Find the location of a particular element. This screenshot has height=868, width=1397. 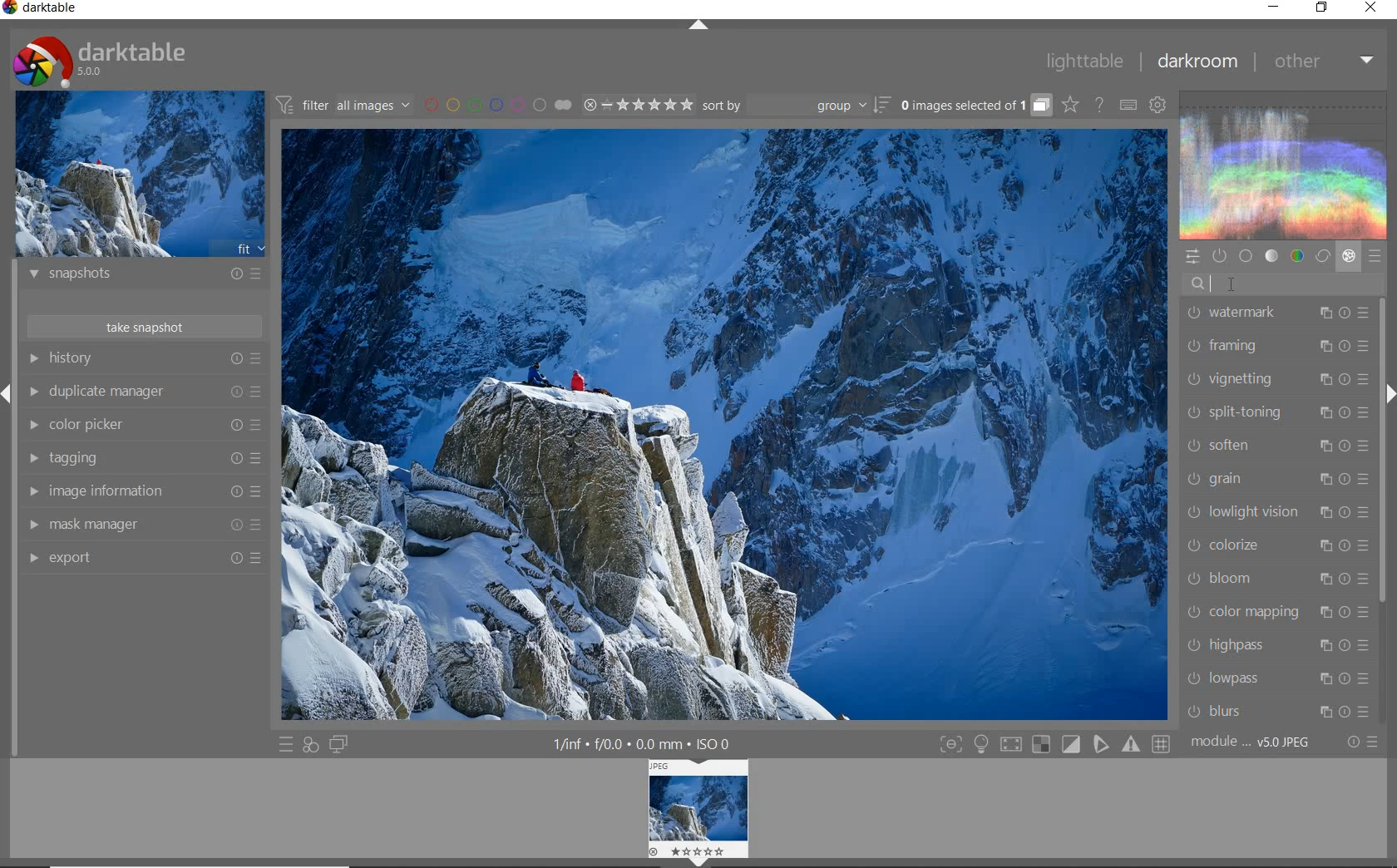

sort is located at coordinates (796, 106).